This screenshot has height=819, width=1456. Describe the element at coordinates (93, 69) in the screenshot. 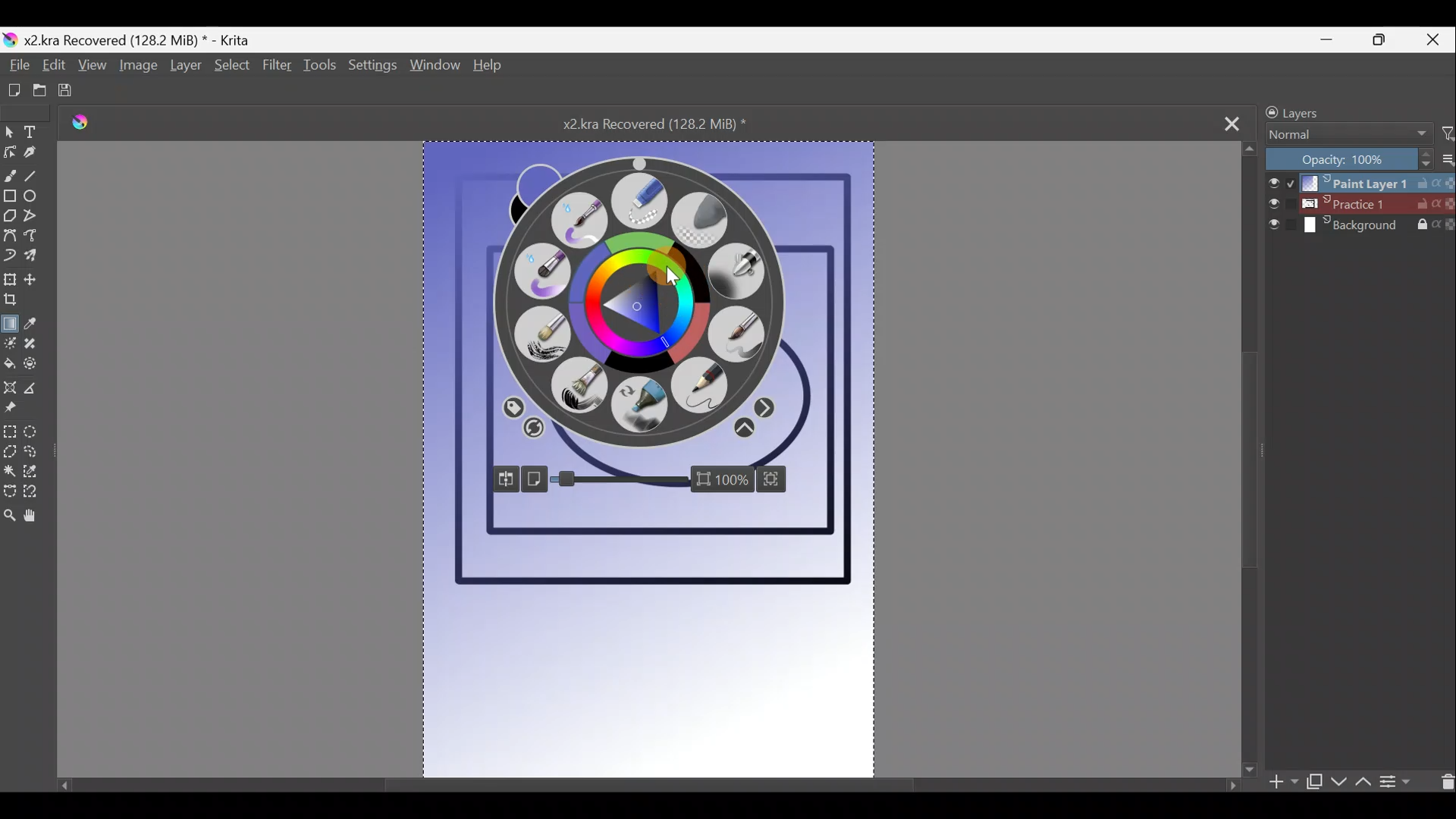

I see `View` at that location.